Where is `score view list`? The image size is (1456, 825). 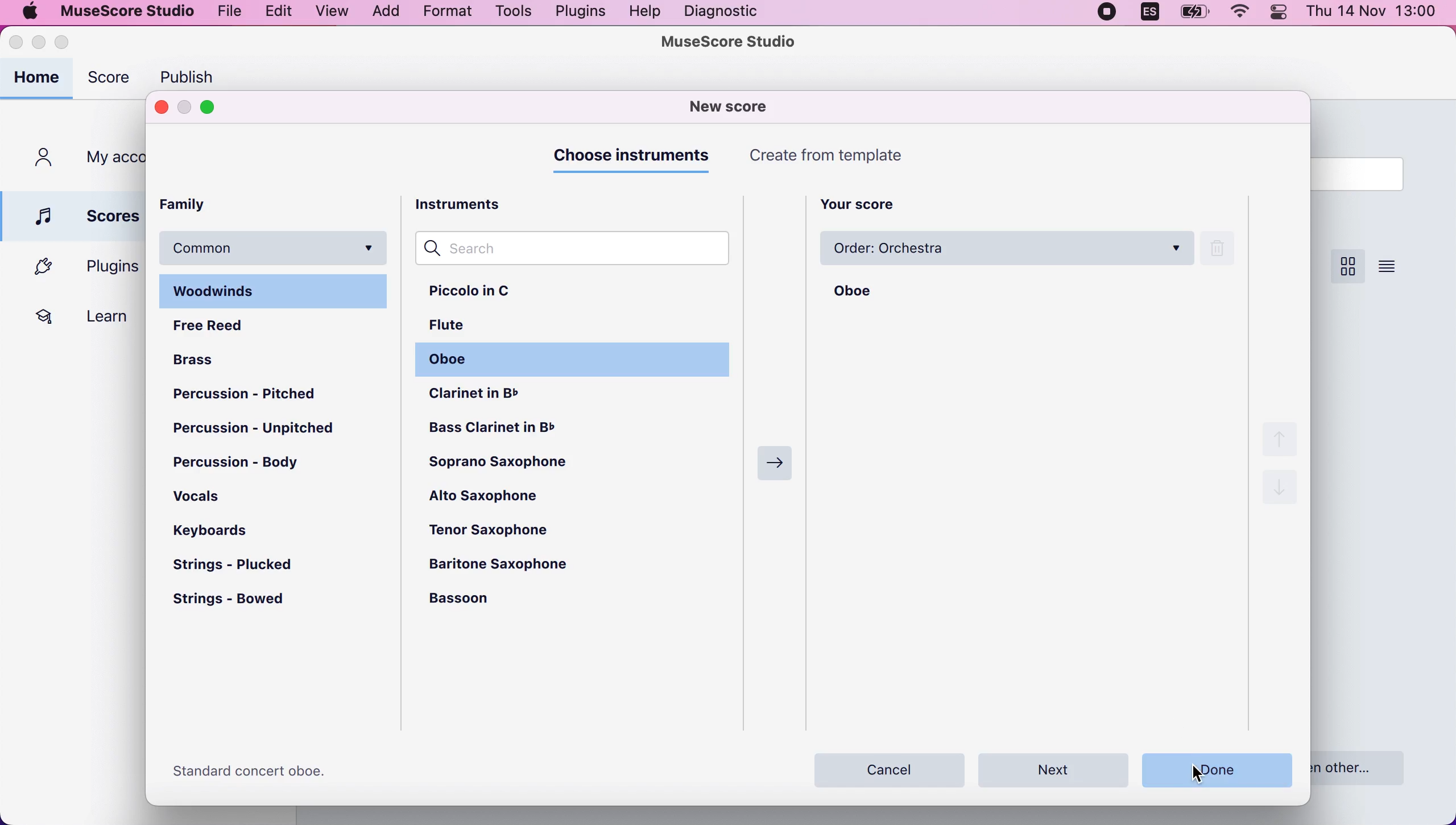
score view list is located at coordinates (1388, 265).